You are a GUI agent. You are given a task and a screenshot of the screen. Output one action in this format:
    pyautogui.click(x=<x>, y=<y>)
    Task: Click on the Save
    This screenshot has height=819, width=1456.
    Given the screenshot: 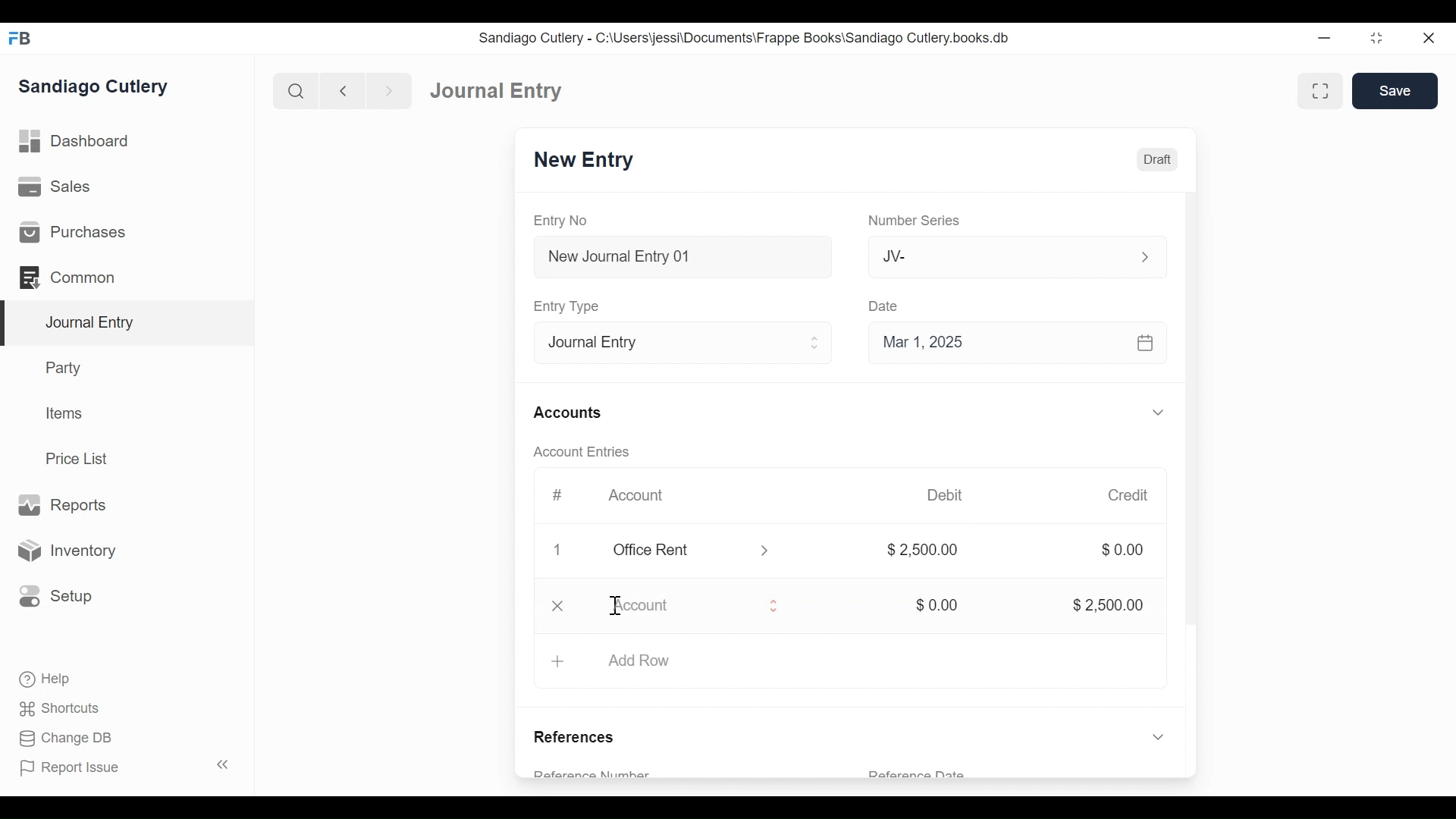 What is the action you would take?
    pyautogui.click(x=1395, y=90)
    